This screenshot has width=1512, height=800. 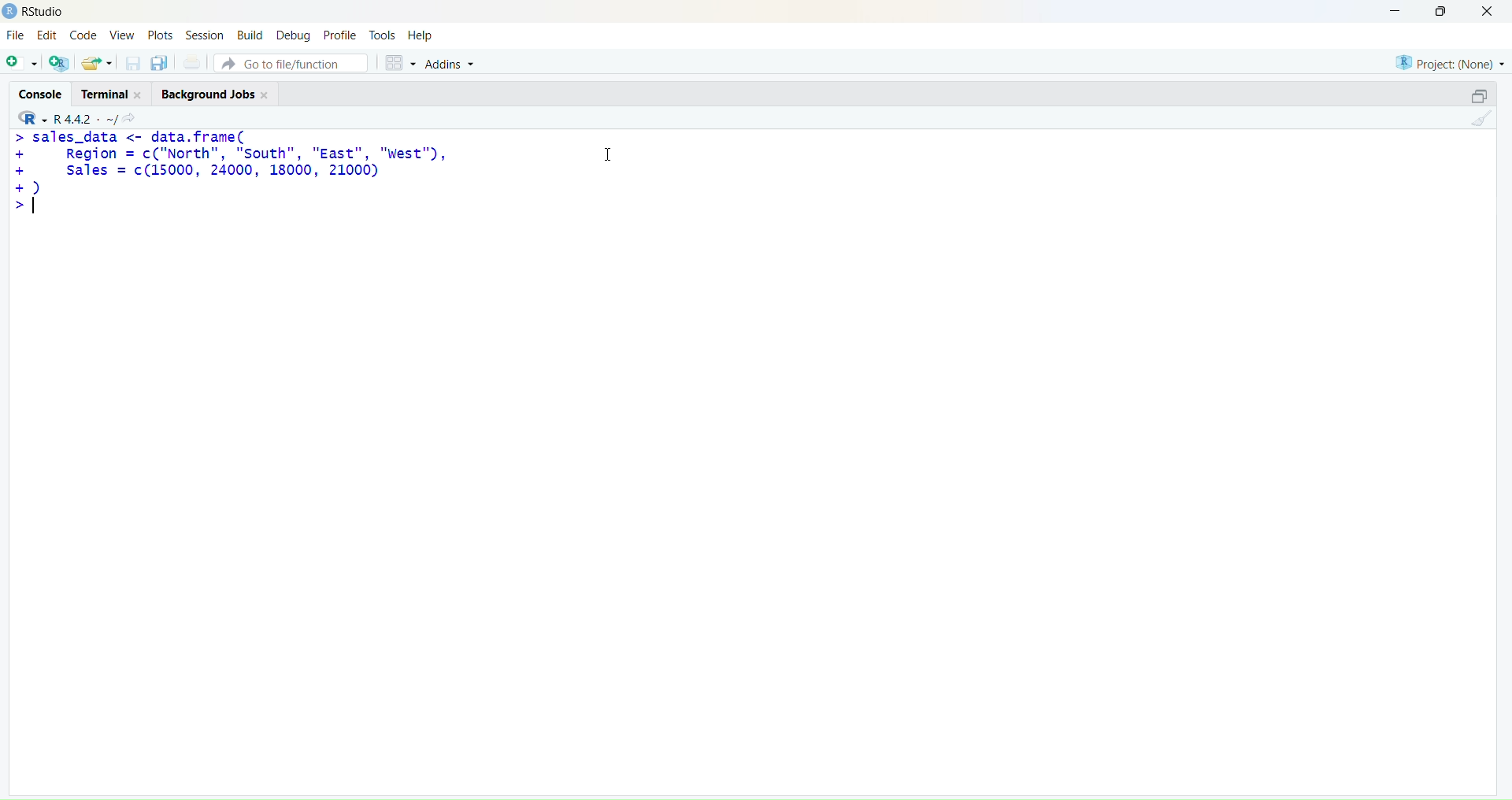 What do you see at coordinates (160, 33) in the screenshot?
I see `Plots` at bounding box center [160, 33].